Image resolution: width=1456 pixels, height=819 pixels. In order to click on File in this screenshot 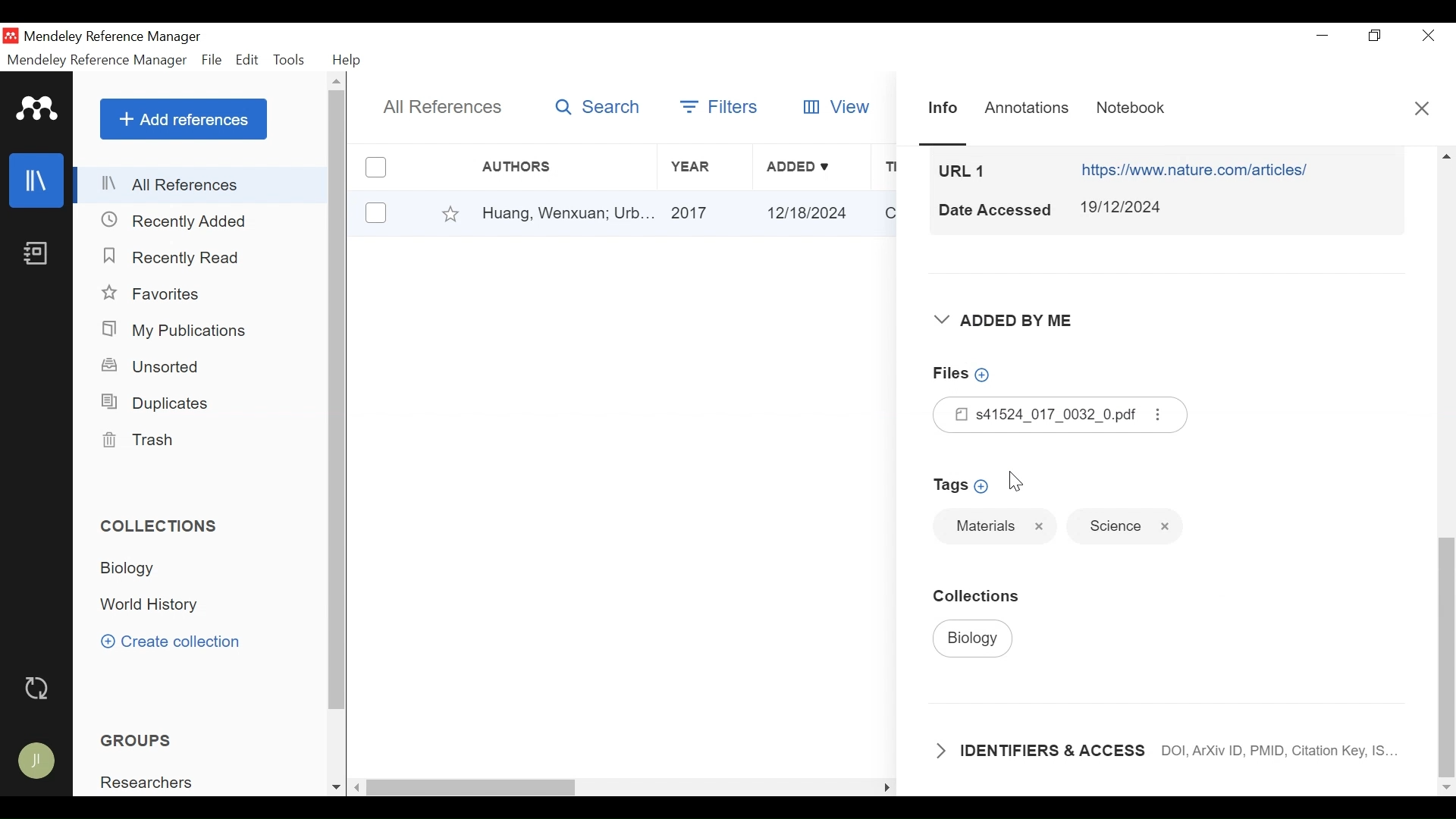, I will do `click(212, 60)`.